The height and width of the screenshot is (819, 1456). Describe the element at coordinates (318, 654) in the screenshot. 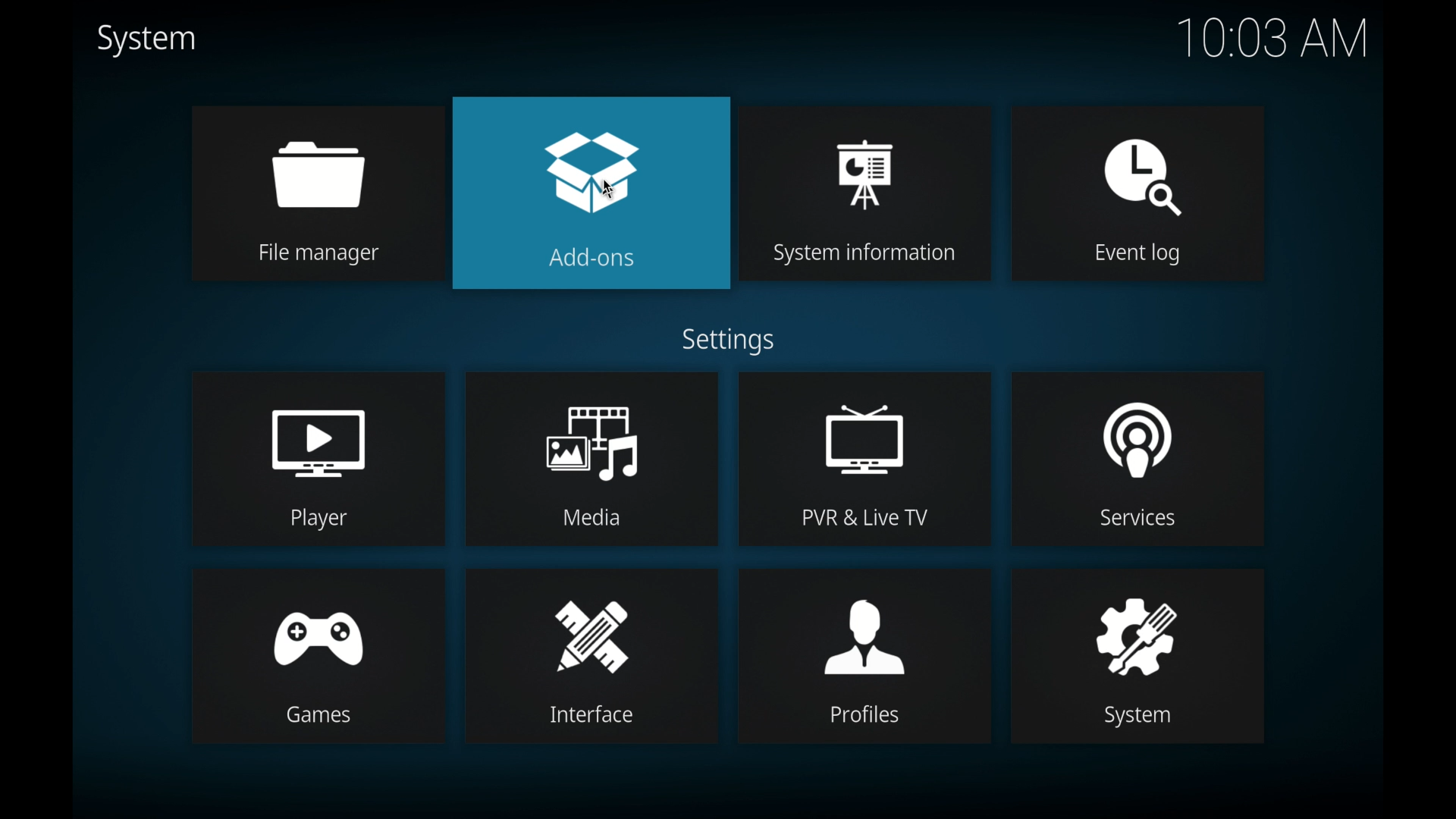

I see `games` at that location.